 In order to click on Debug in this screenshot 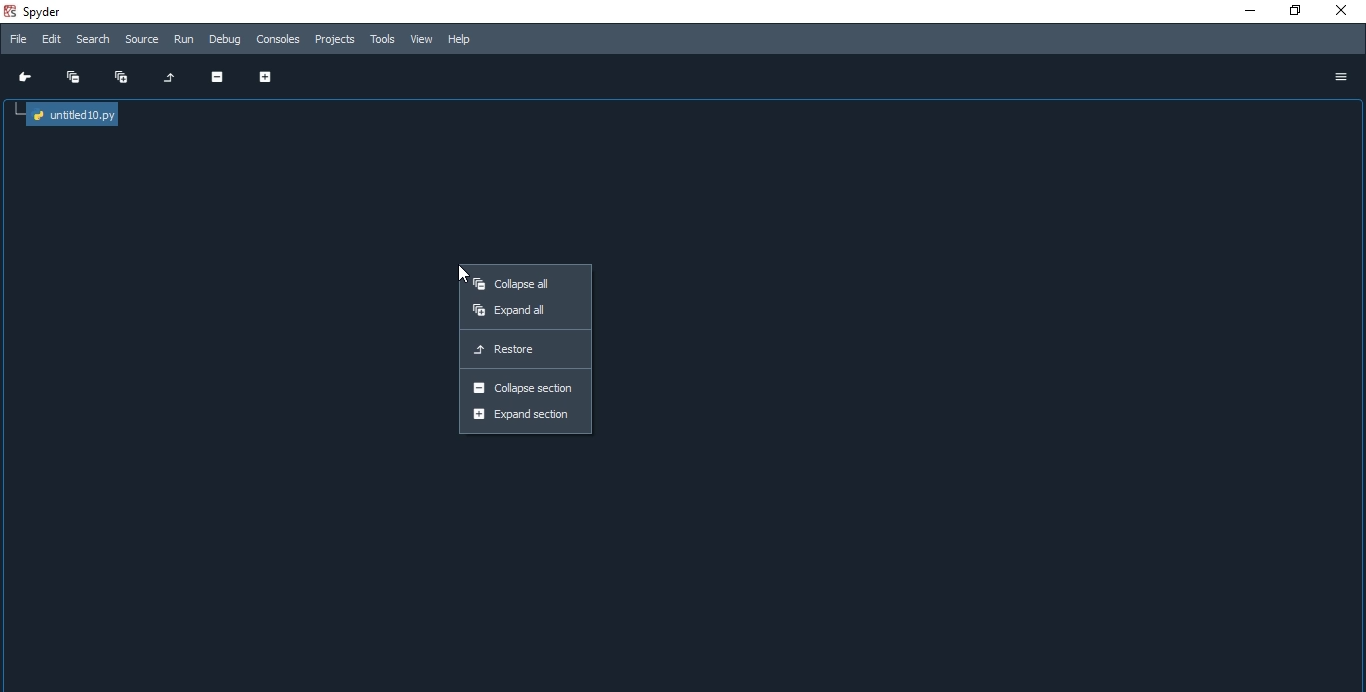, I will do `click(226, 40)`.